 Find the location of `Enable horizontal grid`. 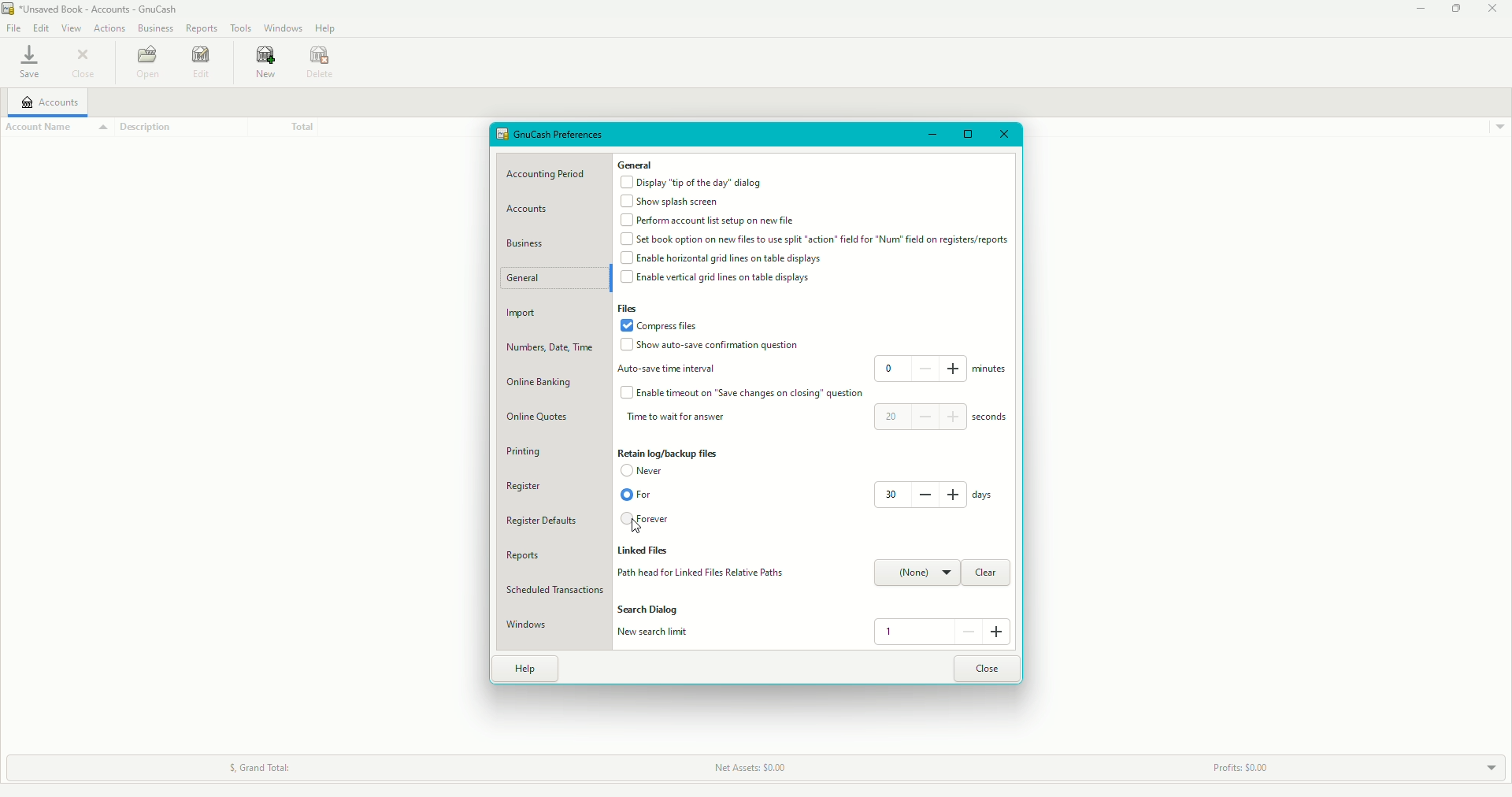

Enable horizontal grid is located at coordinates (724, 258).